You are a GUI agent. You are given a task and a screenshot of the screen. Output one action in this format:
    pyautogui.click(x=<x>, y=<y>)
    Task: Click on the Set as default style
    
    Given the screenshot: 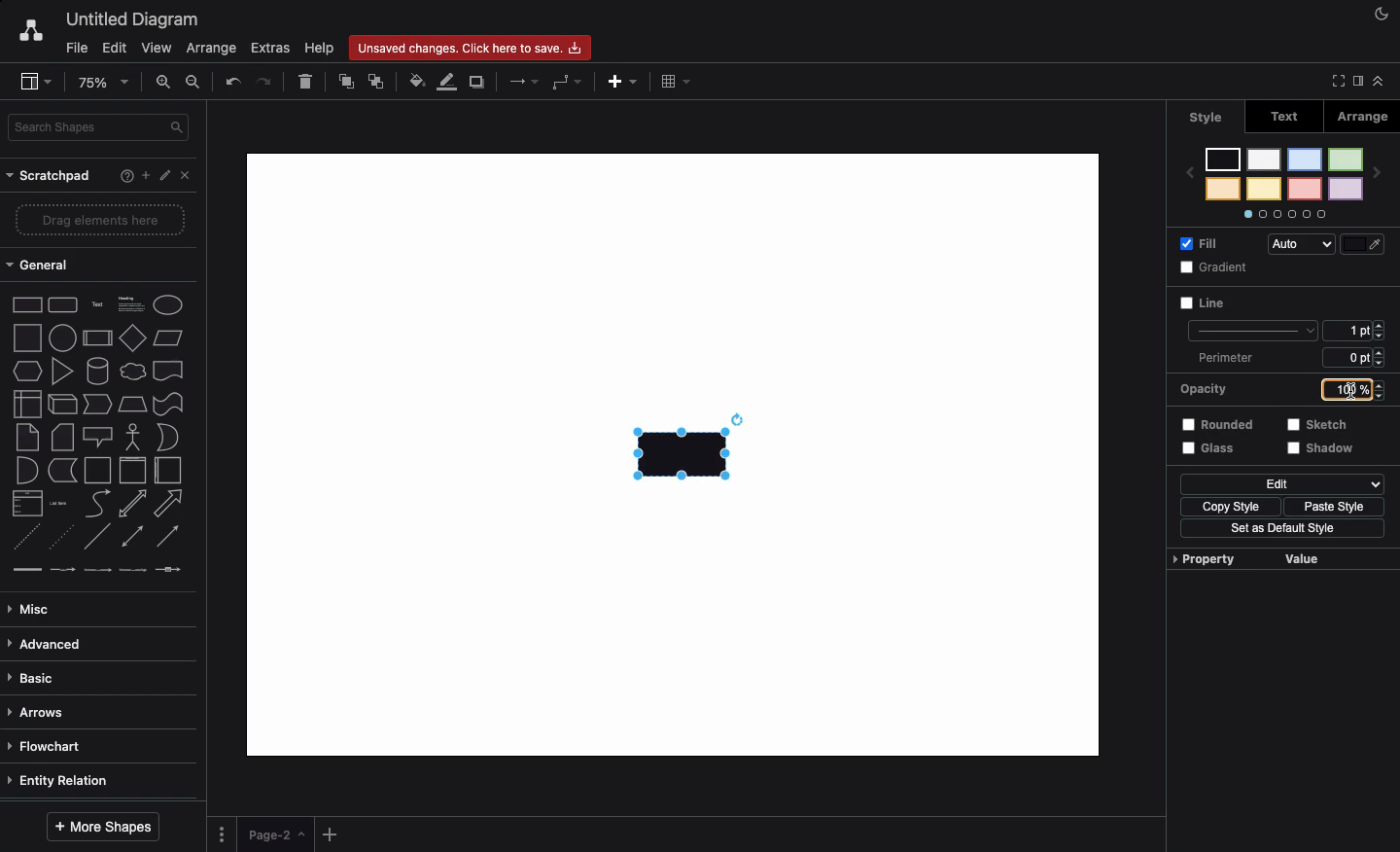 What is the action you would take?
    pyautogui.click(x=1278, y=530)
    